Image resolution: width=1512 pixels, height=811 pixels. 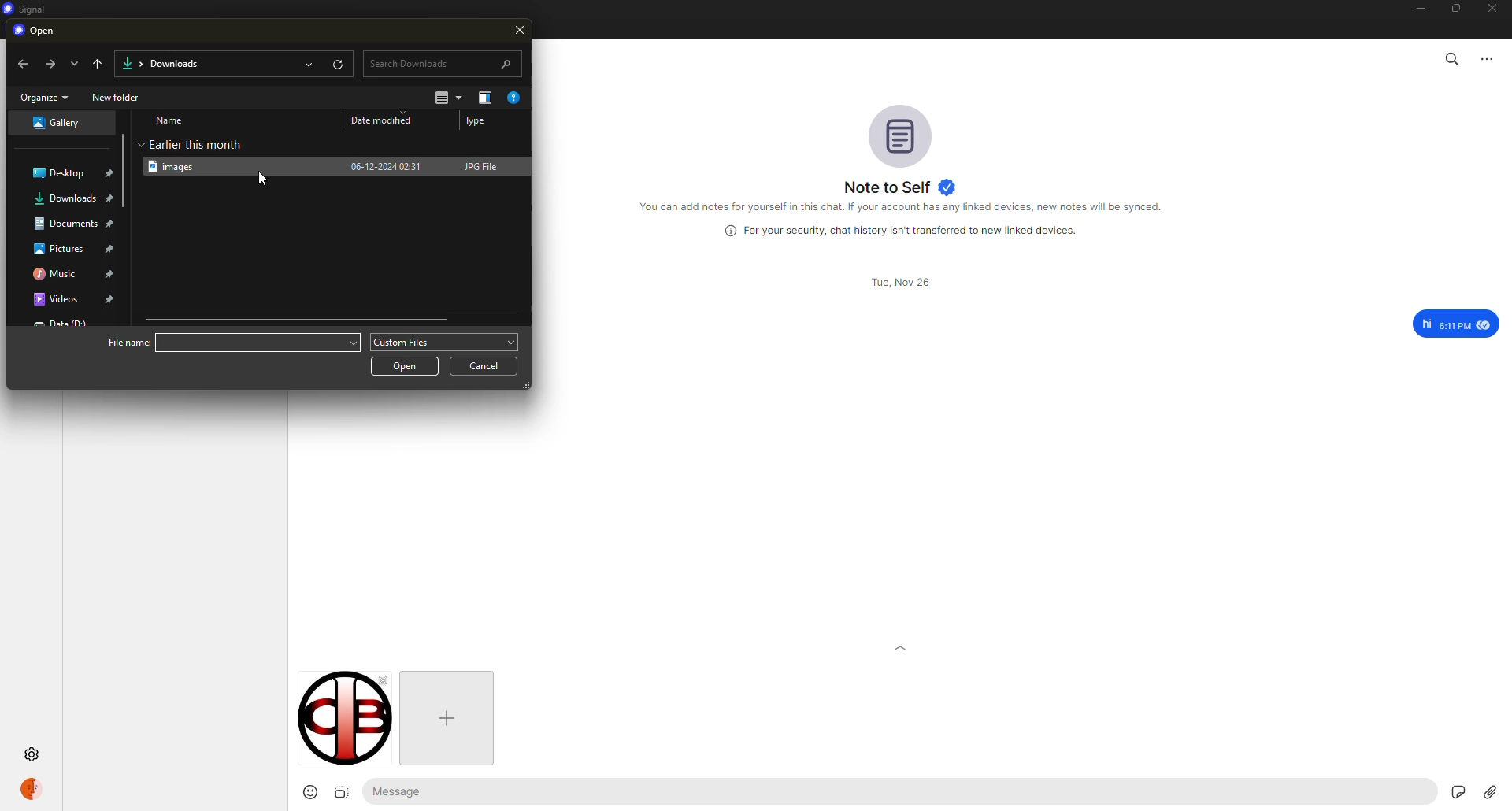 I want to click on profile pic, so click(x=899, y=134).